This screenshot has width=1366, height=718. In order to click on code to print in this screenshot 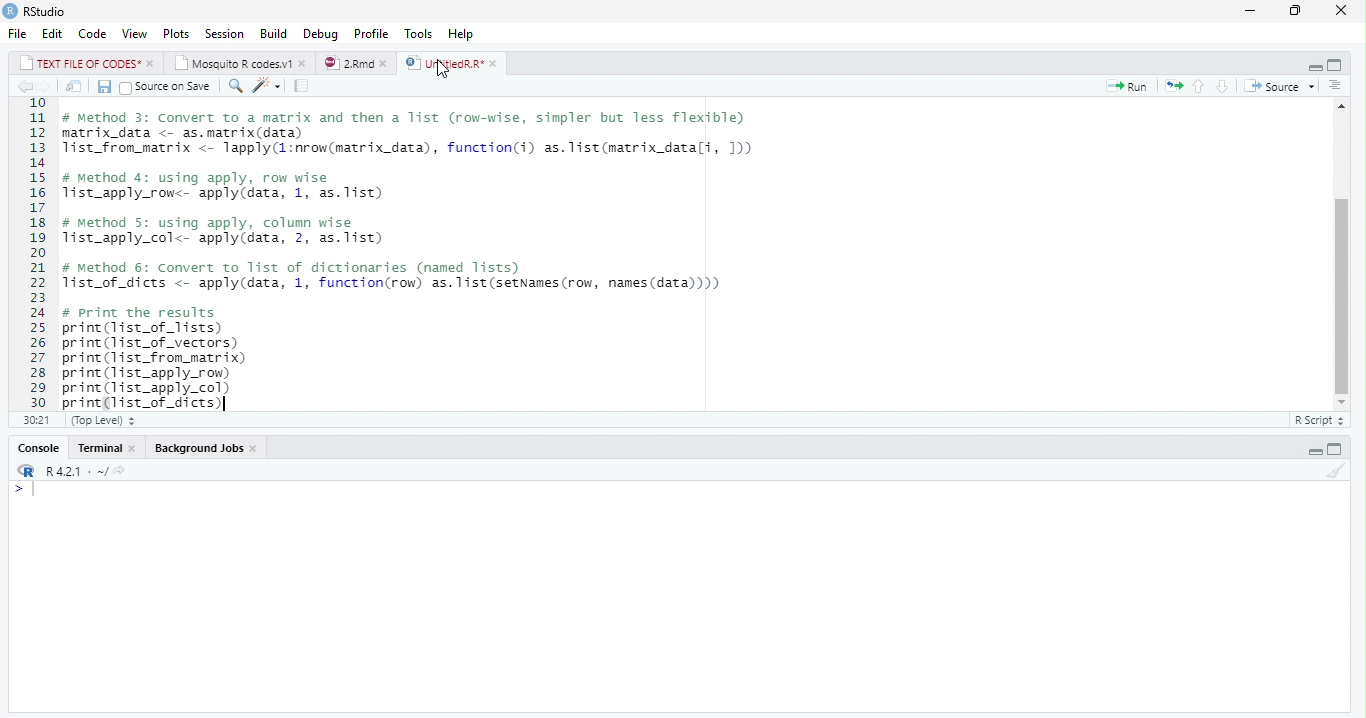, I will do `click(176, 365)`.